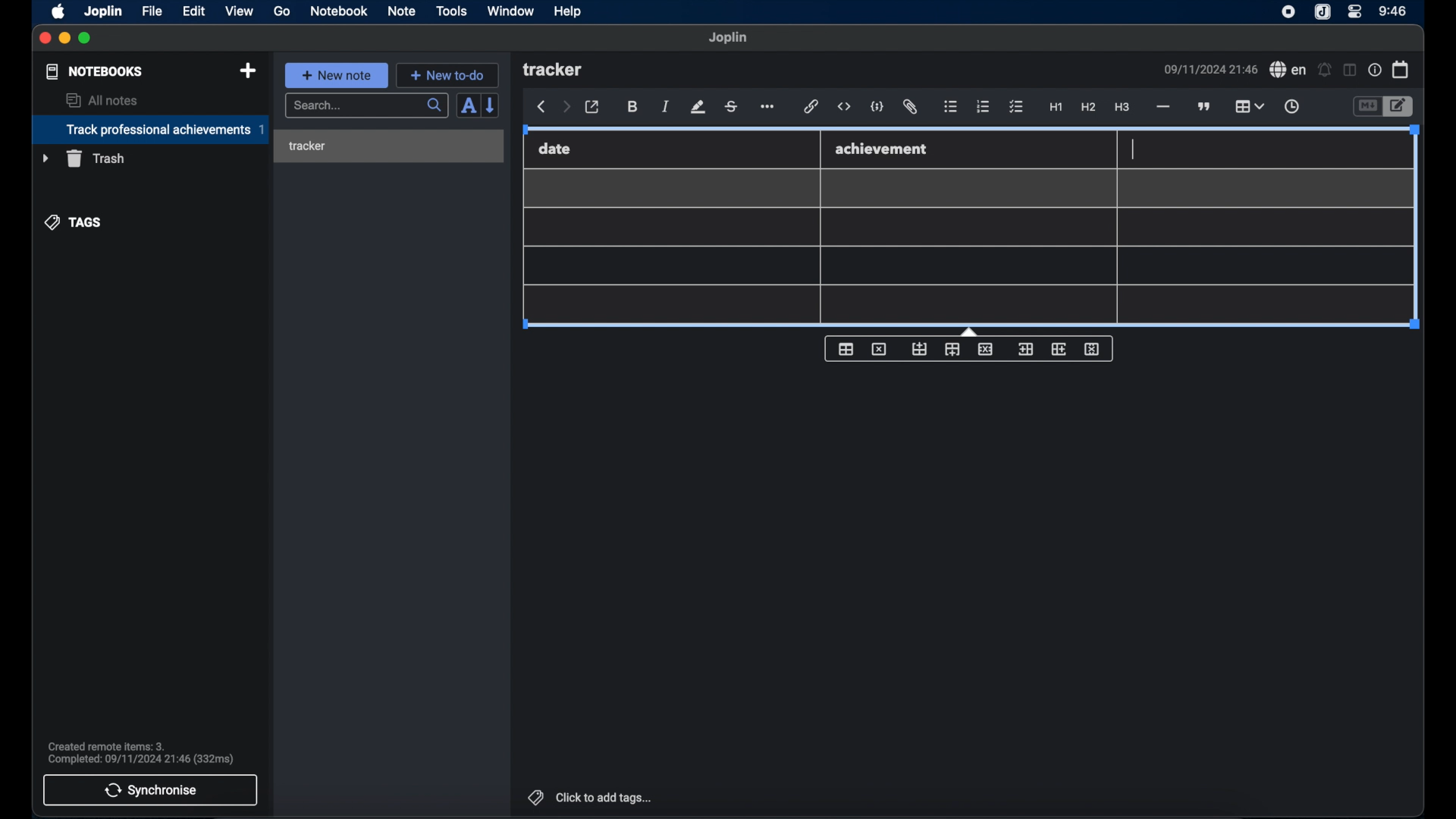 The width and height of the screenshot is (1456, 819). I want to click on bold, so click(632, 107).